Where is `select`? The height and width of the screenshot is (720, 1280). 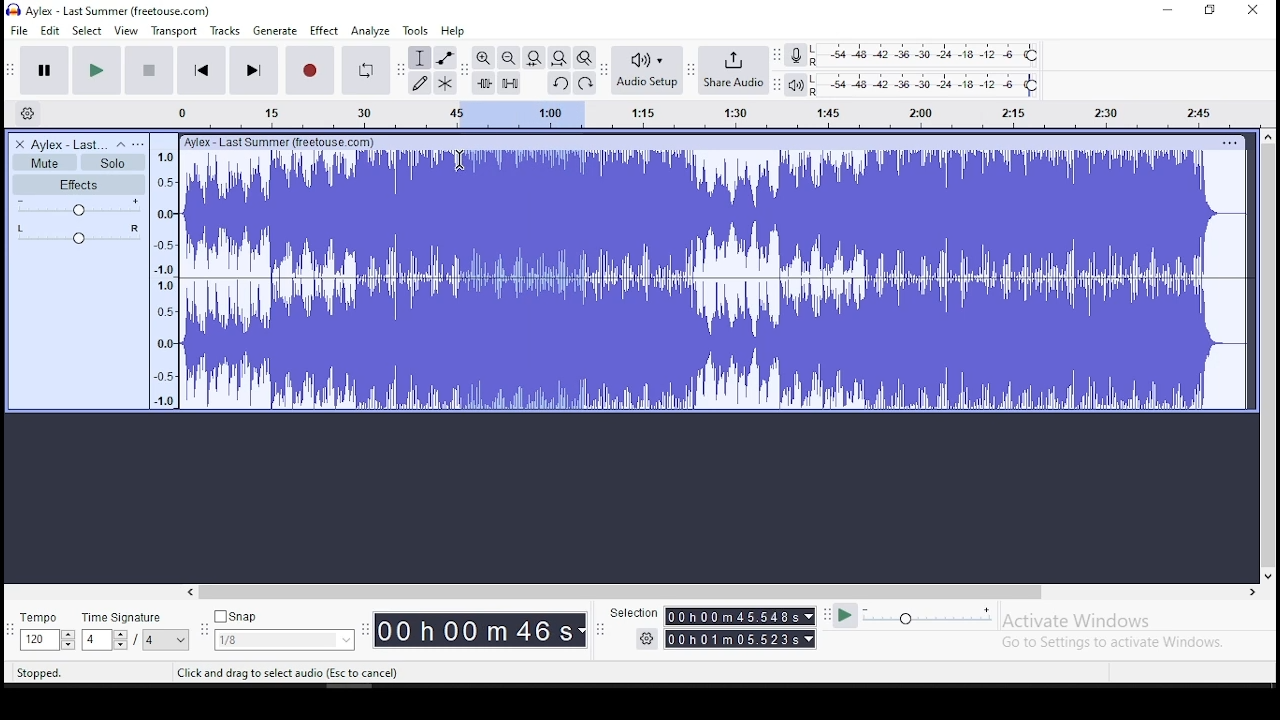 select is located at coordinates (88, 31).